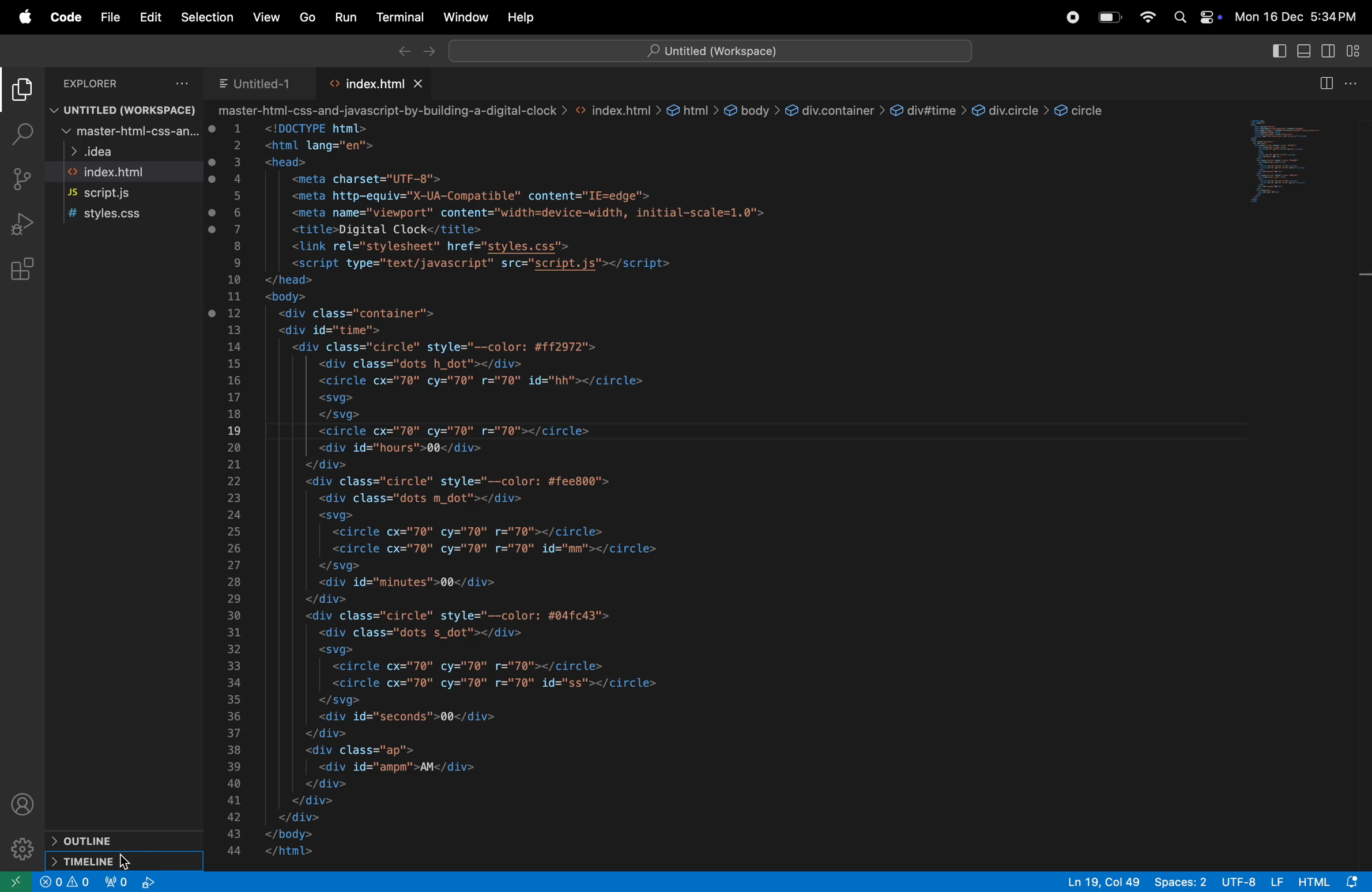 Image resolution: width=1372 pixels, height=892 pixels. Describe the element at coordinates (24, 271) in the screenshot. I see `extensions` at that location.